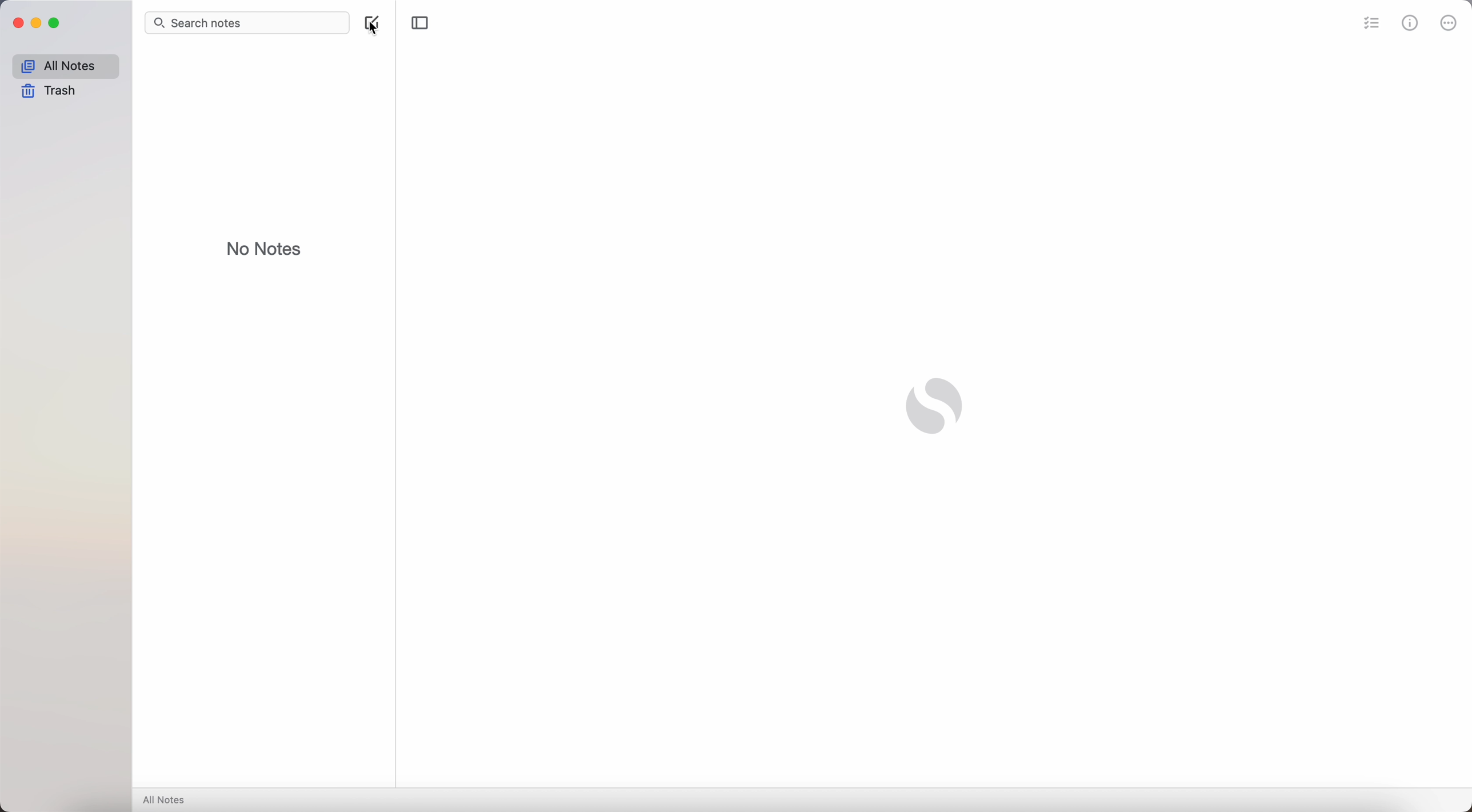  What do you see at coordinates (18, 23) in the screenshot?
I see `close` at bounding box center [18, 23].